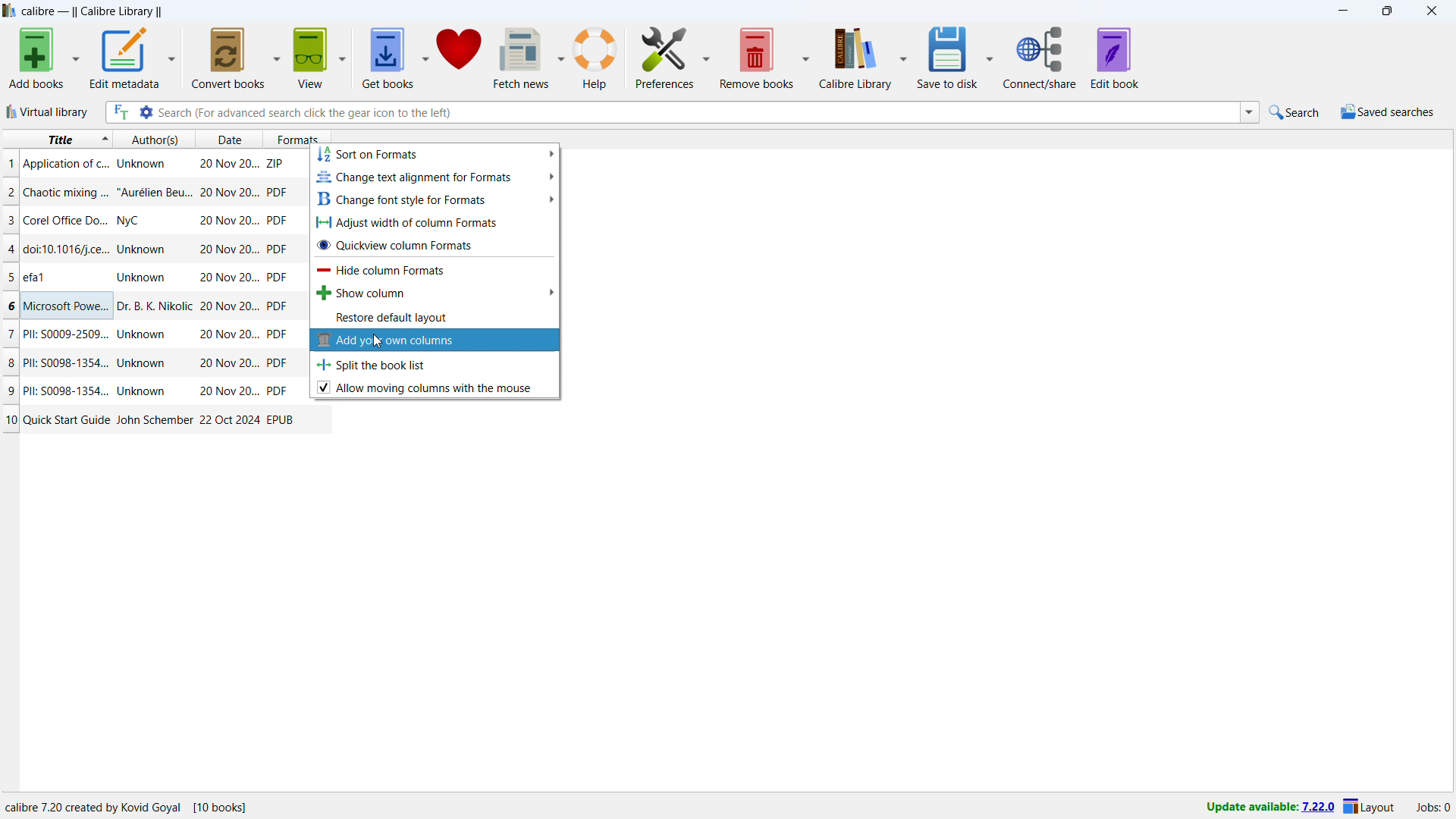  I want to click on title, so click(66, 307).